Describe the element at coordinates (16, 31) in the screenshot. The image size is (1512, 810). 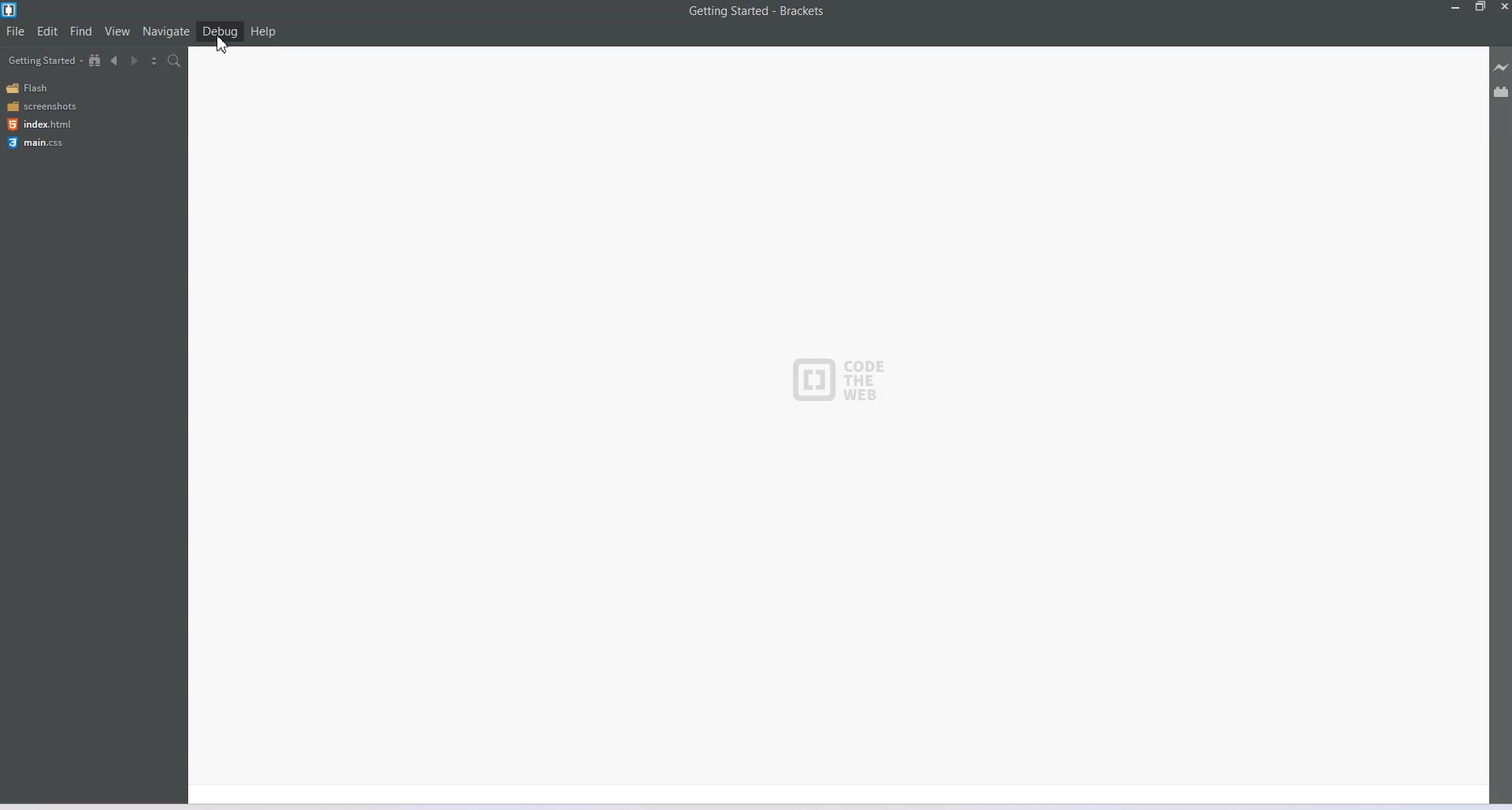
I see `File` at that location.